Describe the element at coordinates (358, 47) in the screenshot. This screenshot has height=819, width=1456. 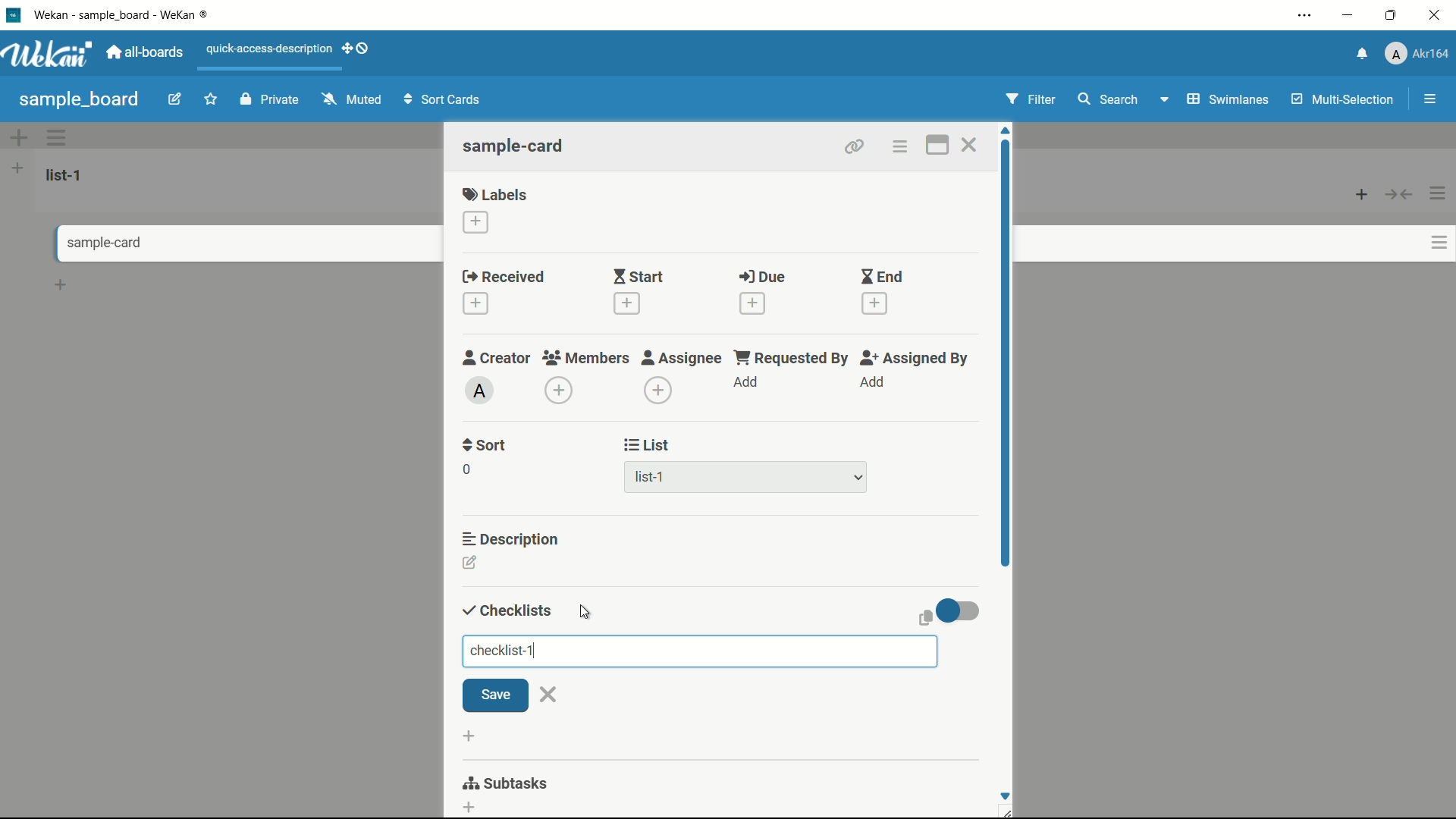
I see `show-desktop-drag-handles` at that location.